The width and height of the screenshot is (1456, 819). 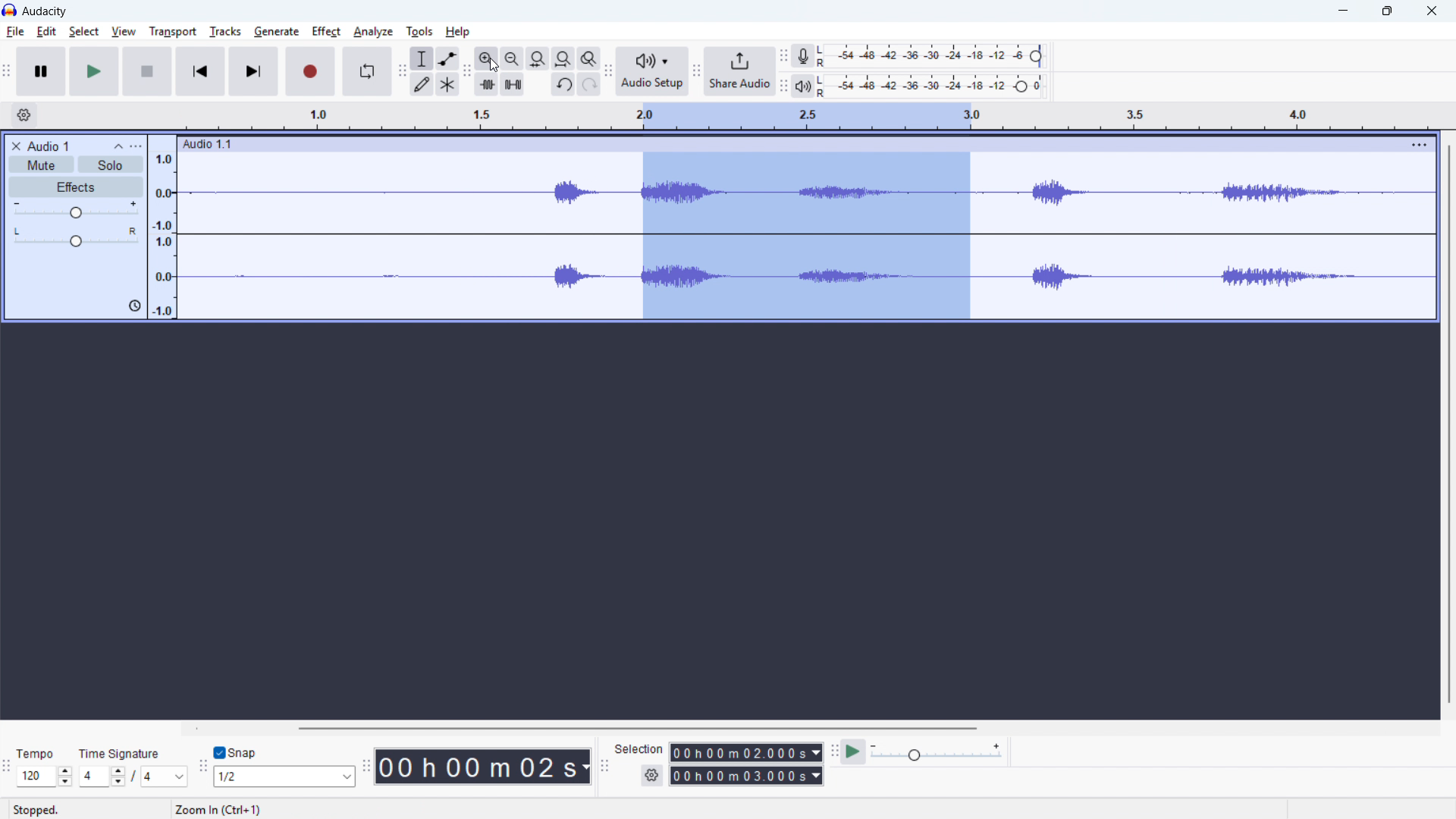 What do you see at coordinates (37, 752) in the screenshot?
I see `Tempo` at bounding box center [37, 752].